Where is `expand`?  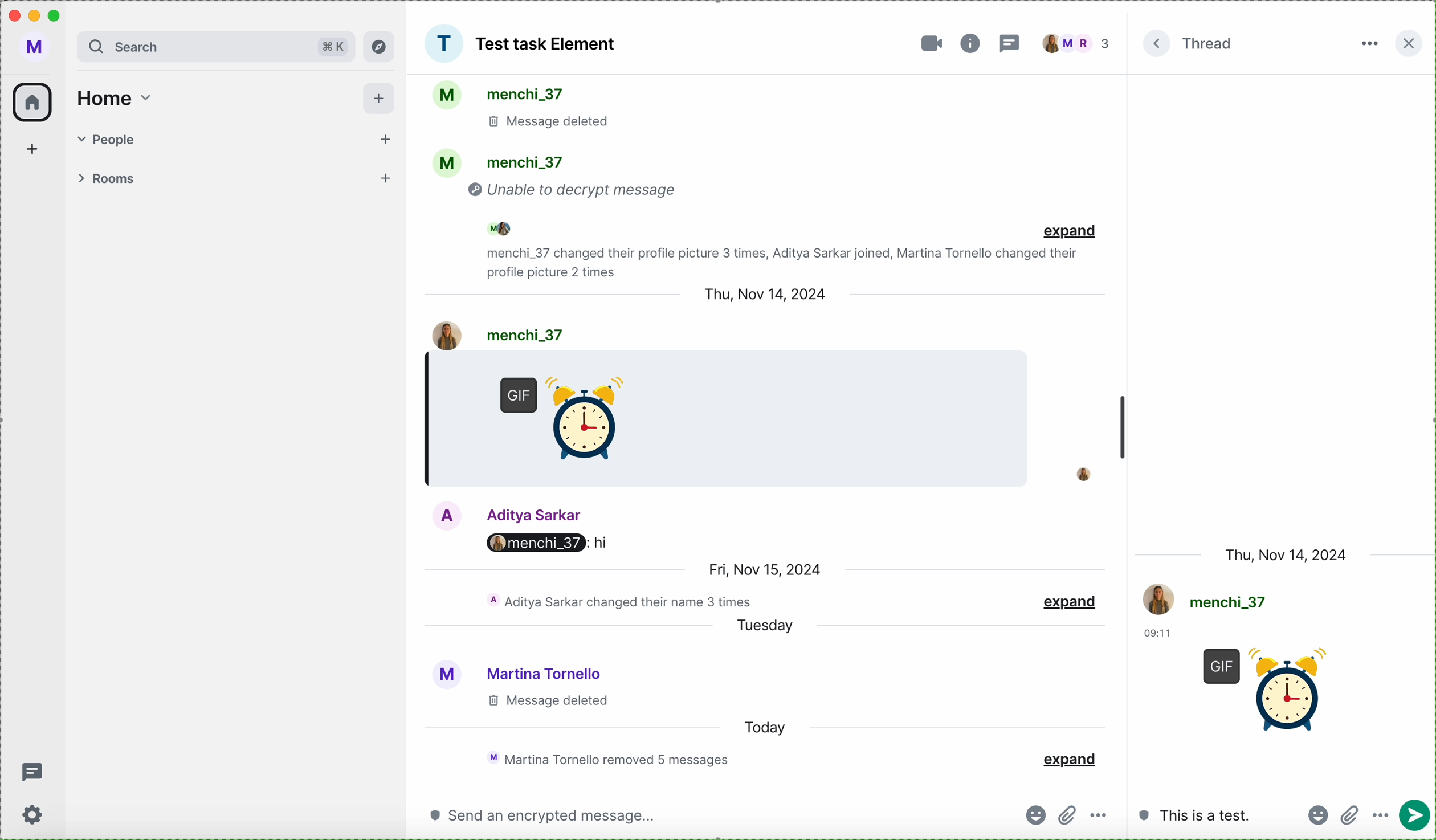
expand is located at coordinates (1071, 232).